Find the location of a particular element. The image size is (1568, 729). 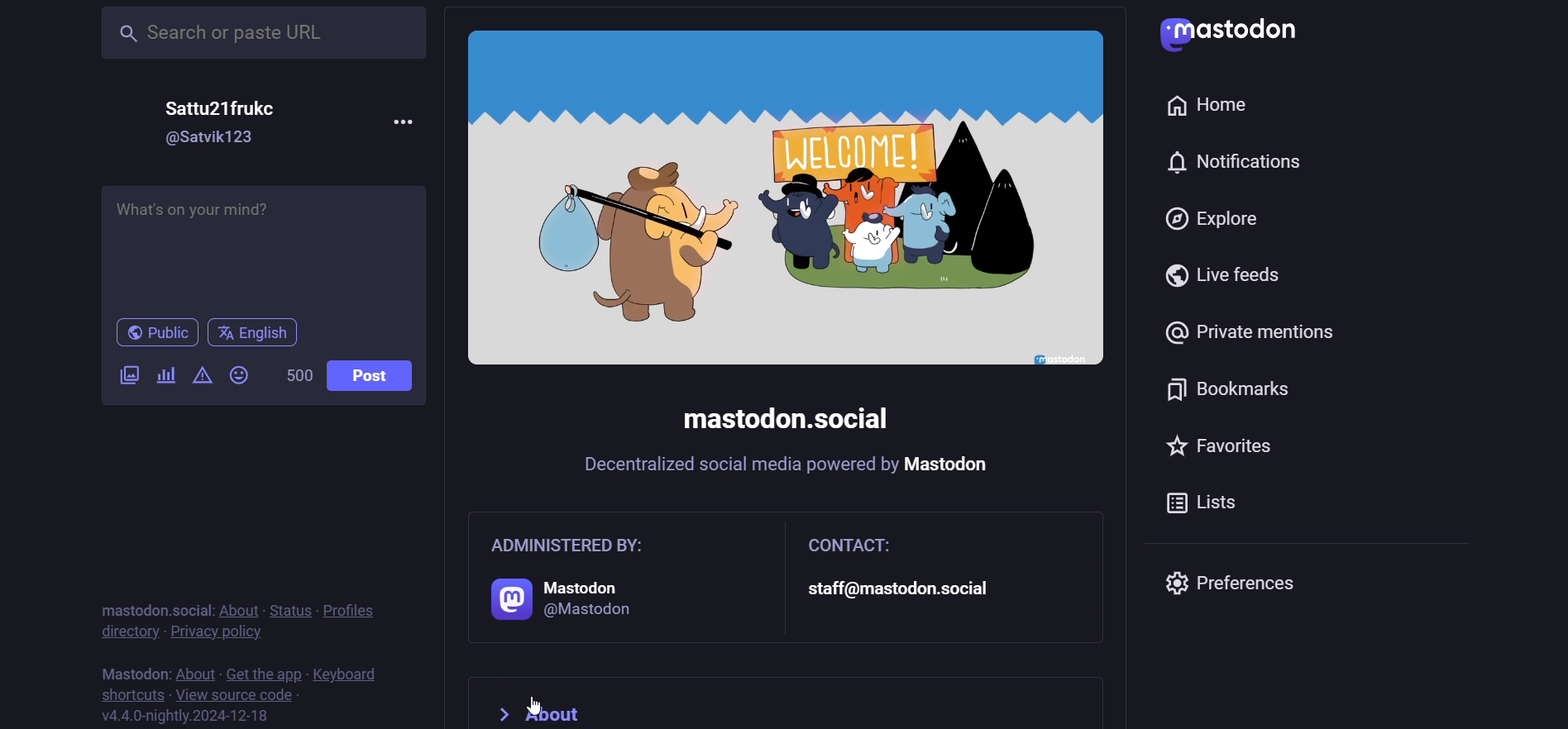

version is located at coordinates (188, 715).